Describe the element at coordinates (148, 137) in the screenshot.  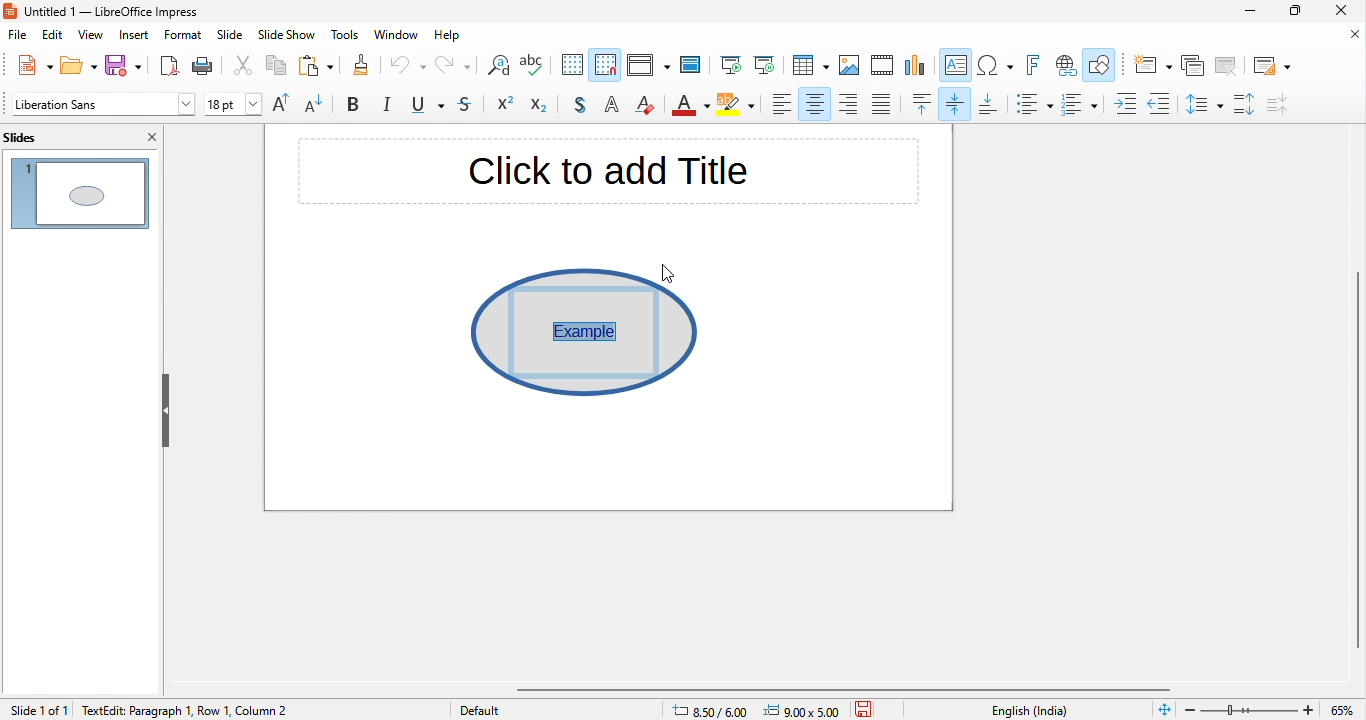
I see `close` at that location.